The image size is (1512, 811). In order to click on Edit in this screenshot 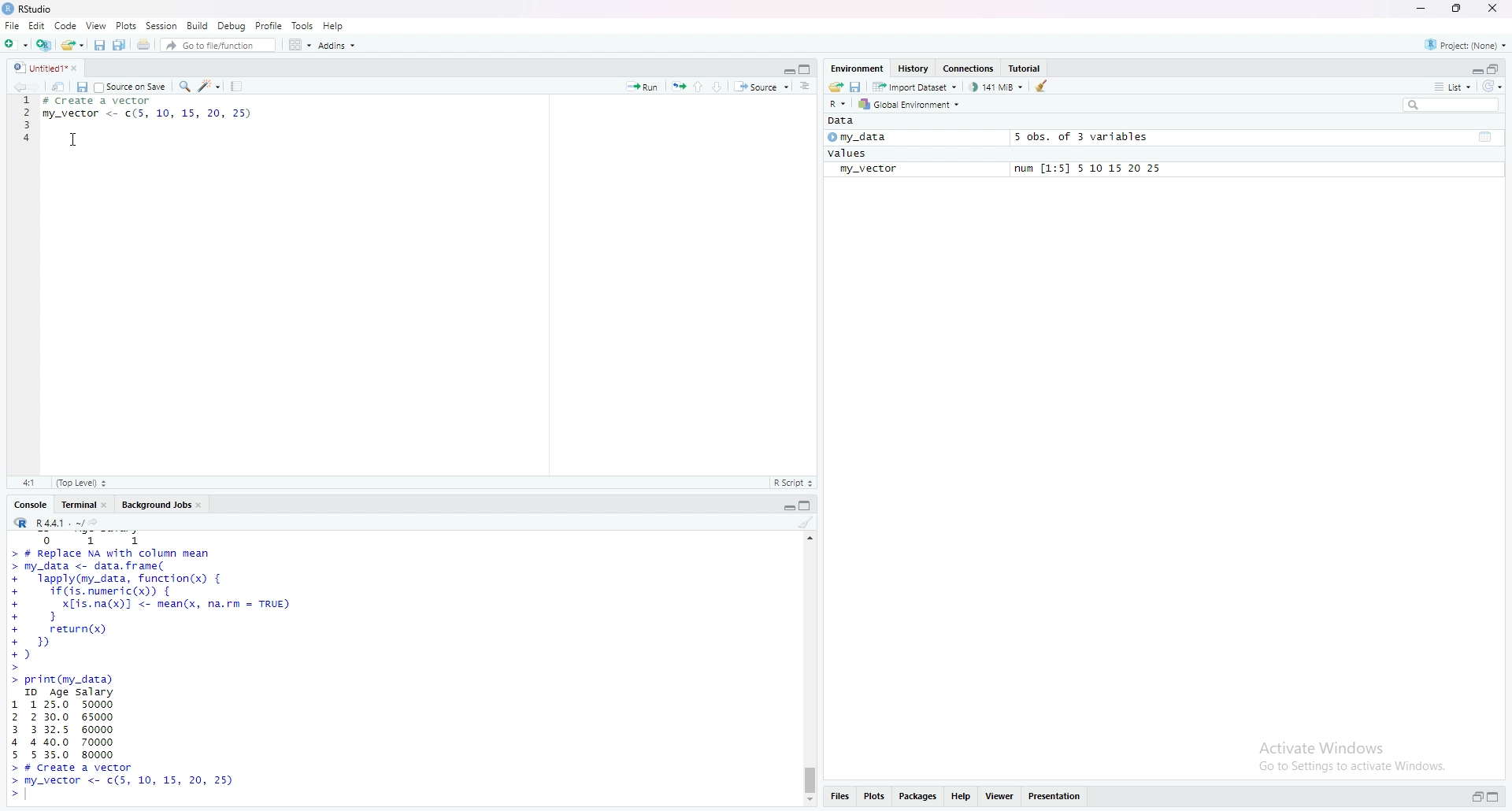, I will do `click(36, 26)`.